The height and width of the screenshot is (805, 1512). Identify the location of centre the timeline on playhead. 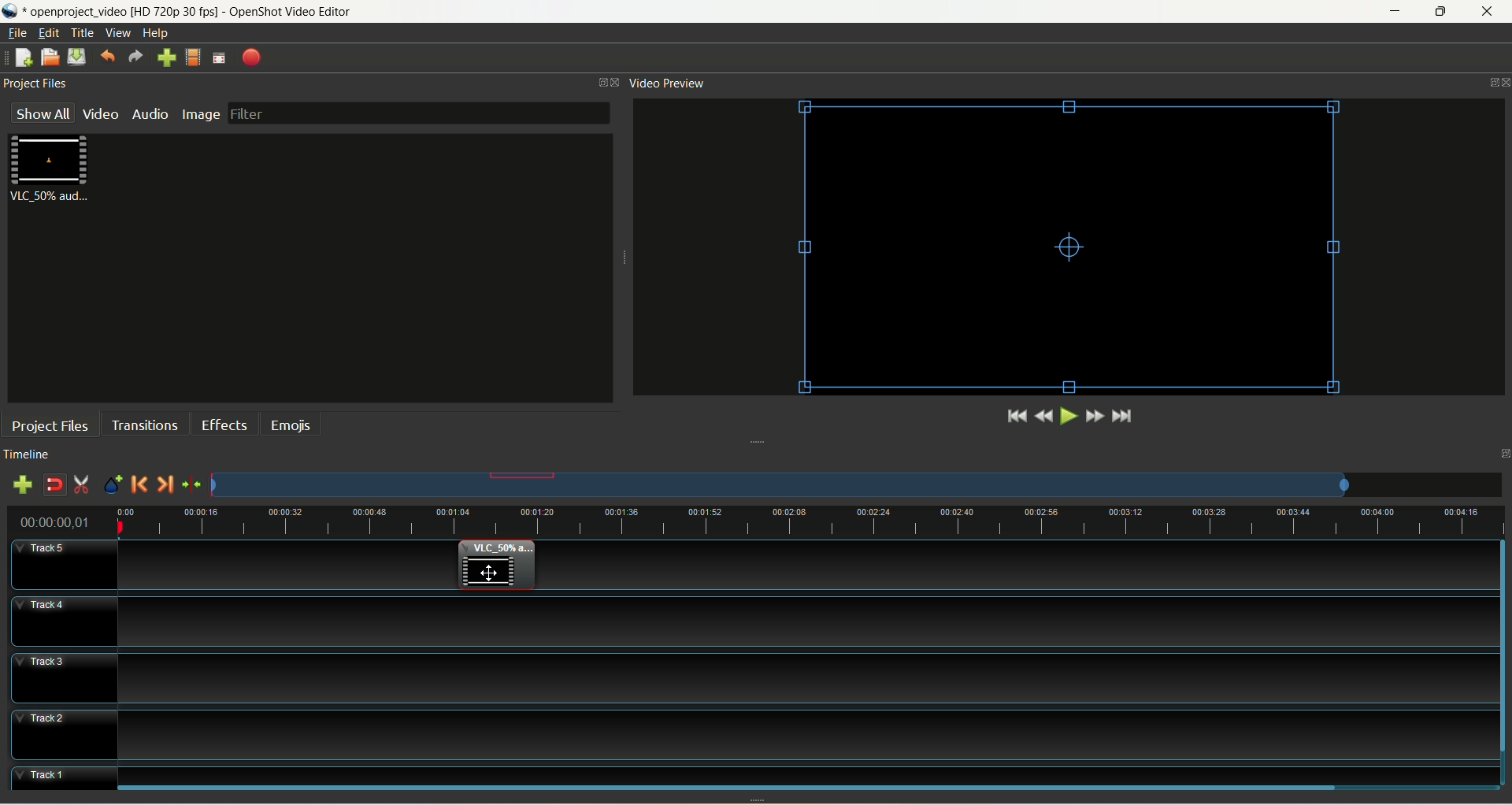
(191, 484).